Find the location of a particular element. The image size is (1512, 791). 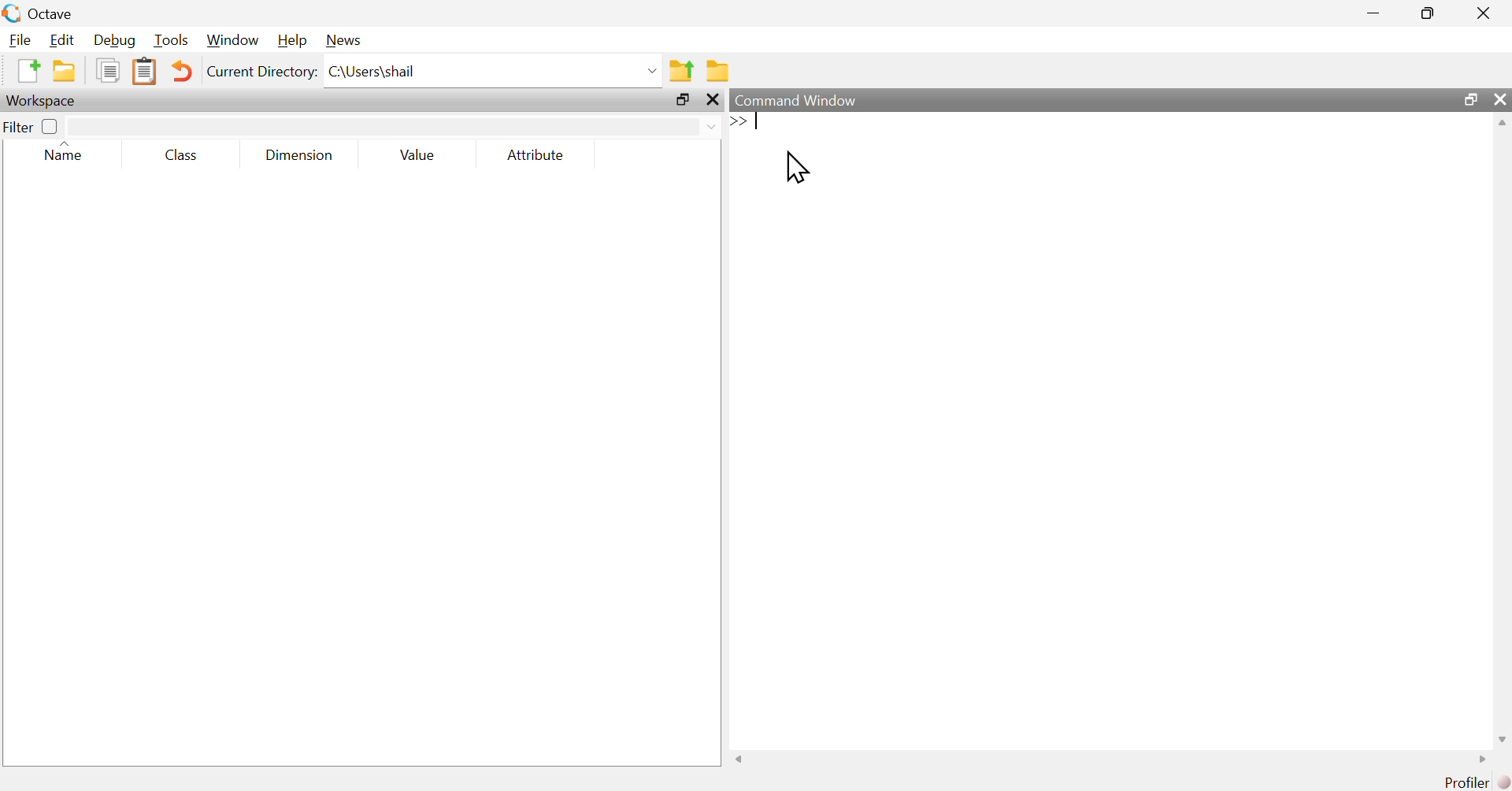

undo is located at coordinates (182, 70).